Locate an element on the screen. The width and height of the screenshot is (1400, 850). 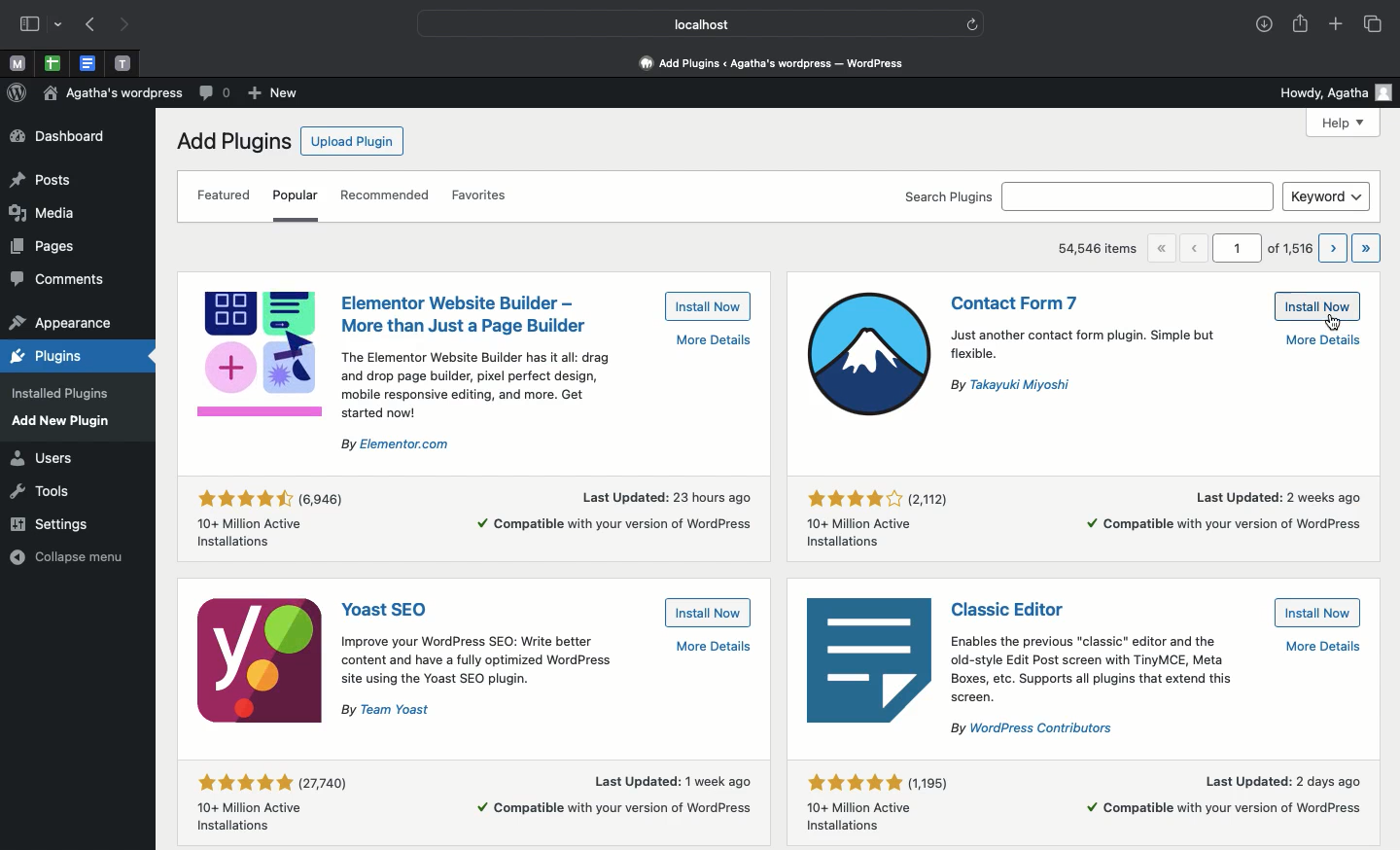
Upload plugin is located at coordinates (355, 140).